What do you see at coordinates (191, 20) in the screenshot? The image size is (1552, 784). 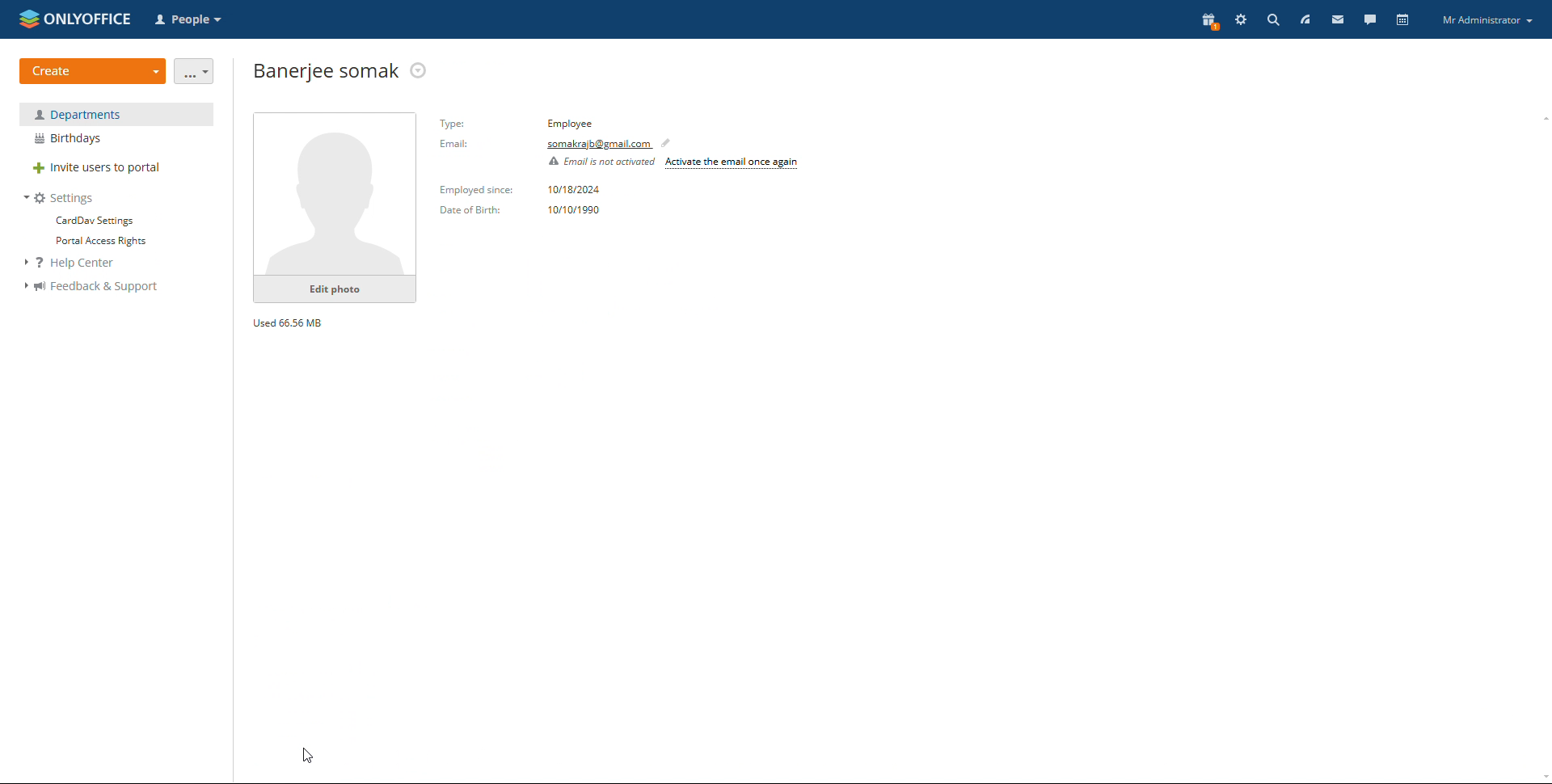 I see `select application` at bounding box center [191, 20].